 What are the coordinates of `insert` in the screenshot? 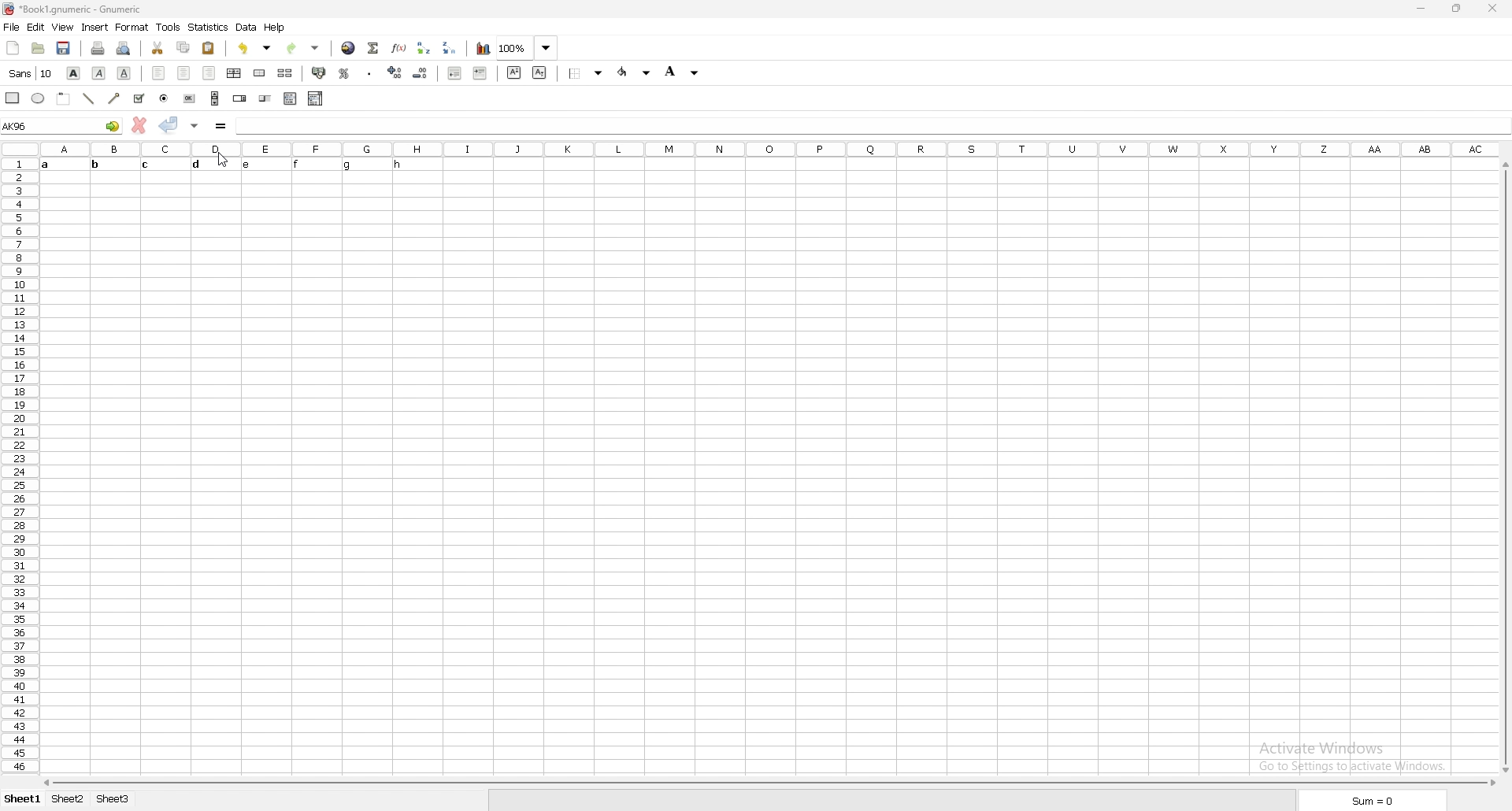 It's located at (95, 27).